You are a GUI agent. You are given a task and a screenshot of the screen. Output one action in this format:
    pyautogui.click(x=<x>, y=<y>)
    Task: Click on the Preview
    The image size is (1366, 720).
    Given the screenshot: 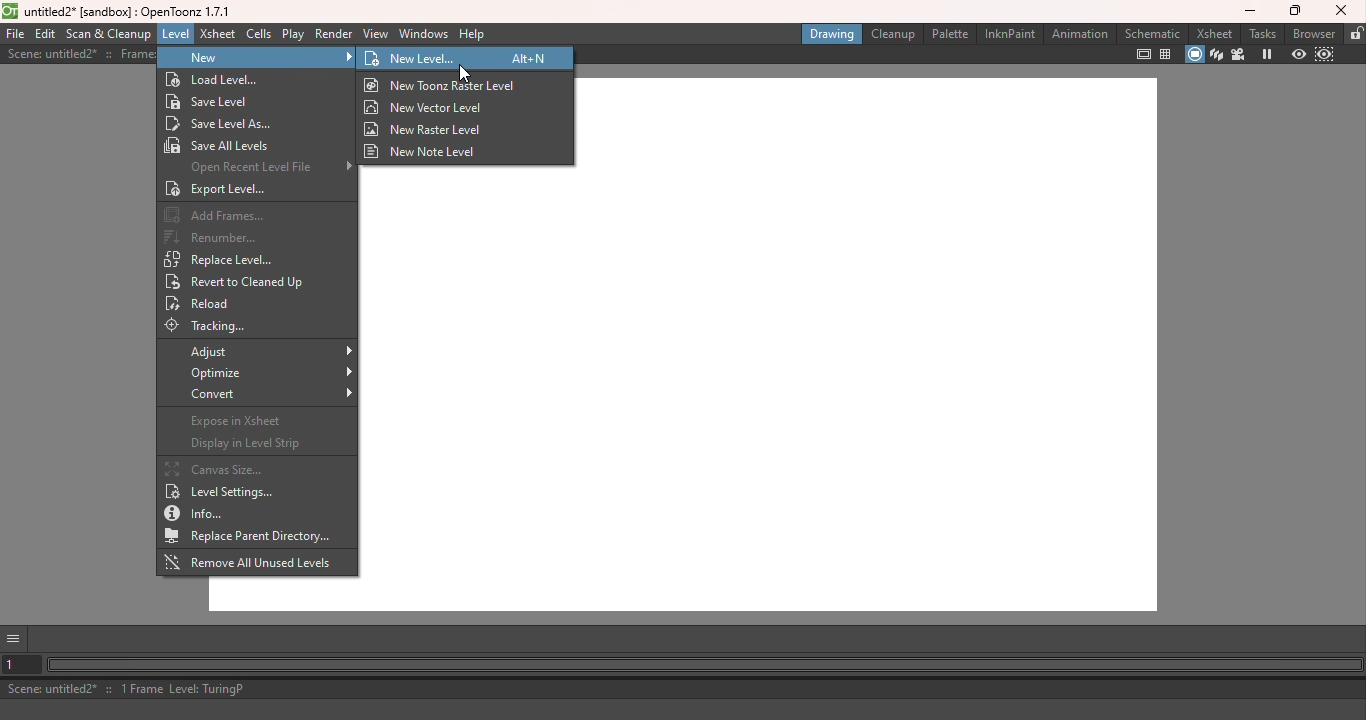 What is the action you would take?
    pyautogui.click(x=1297, y=55)
    